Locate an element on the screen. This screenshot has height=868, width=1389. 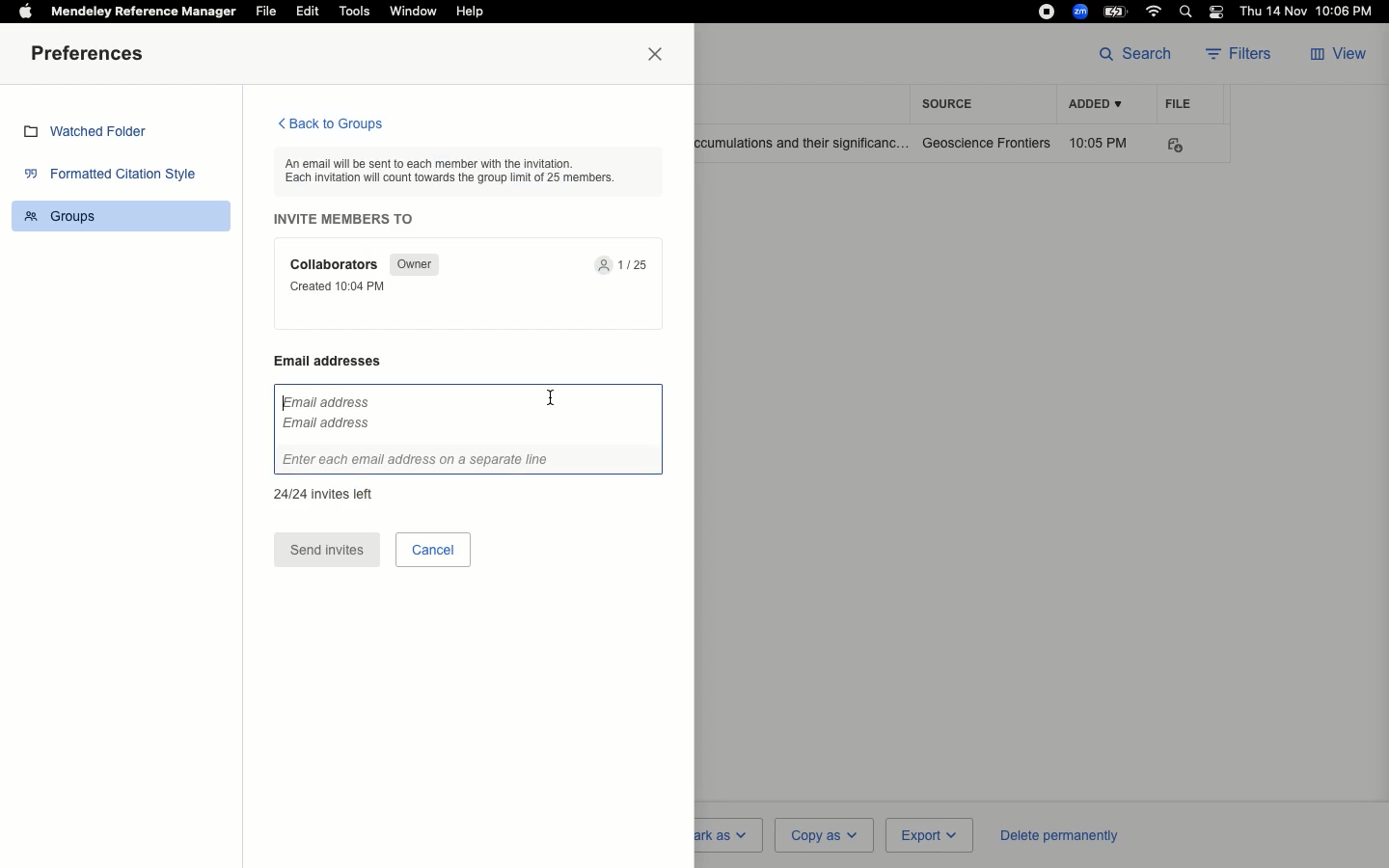
Email address text box is located at coordinates (469, 430).